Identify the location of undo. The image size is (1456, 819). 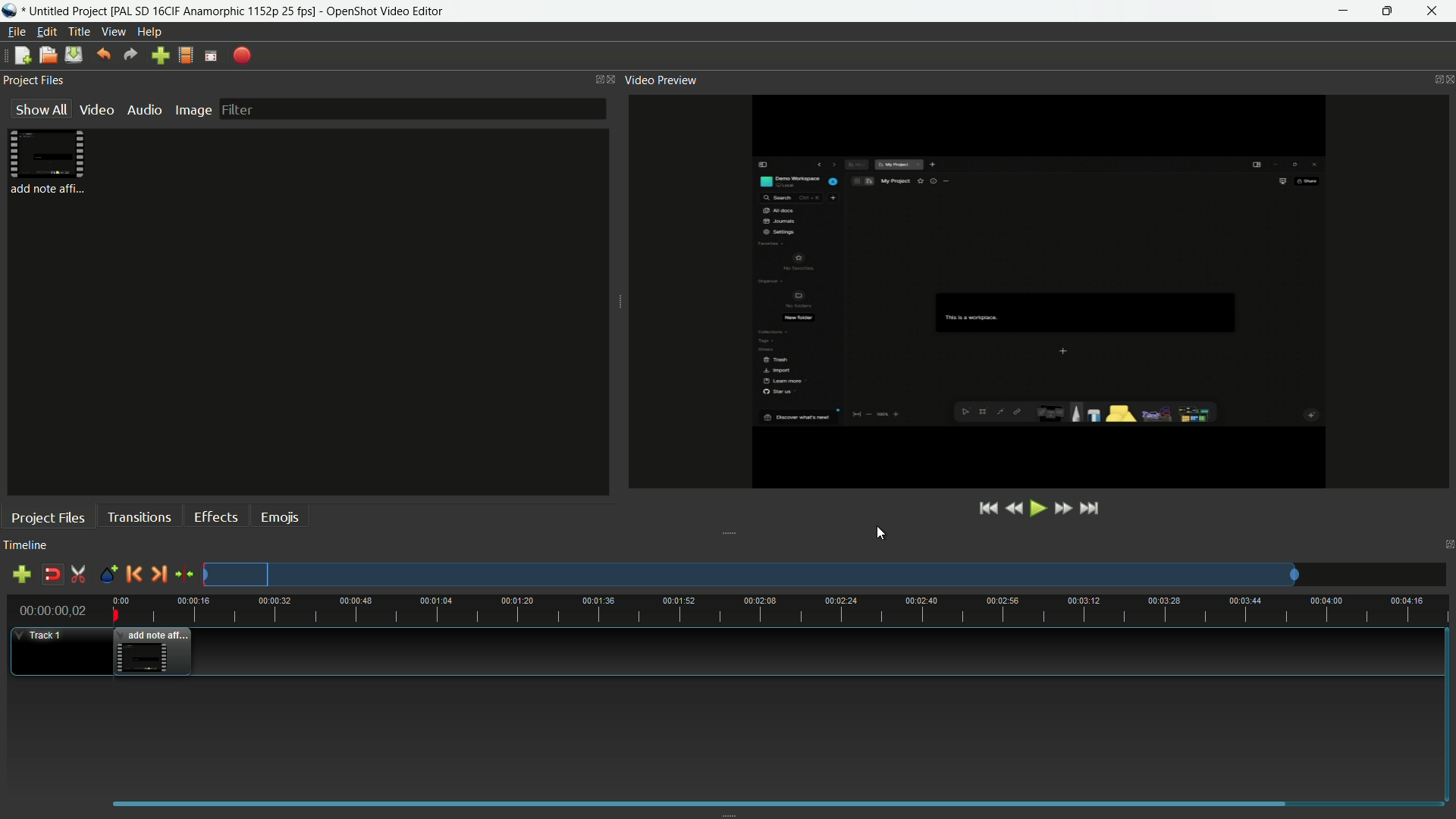
(101, 55).